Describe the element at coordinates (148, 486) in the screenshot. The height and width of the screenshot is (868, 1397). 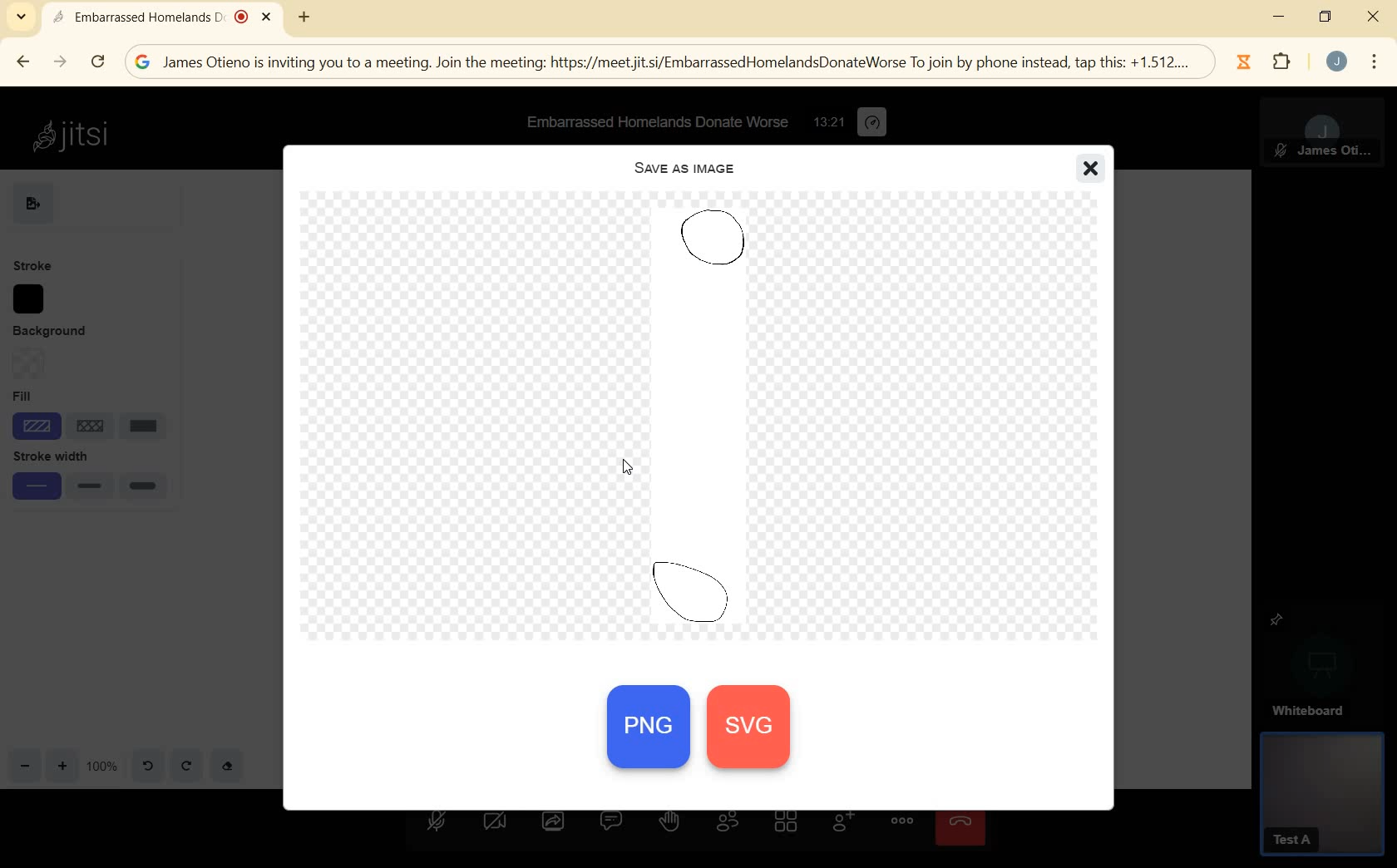
I see `large` at that location.